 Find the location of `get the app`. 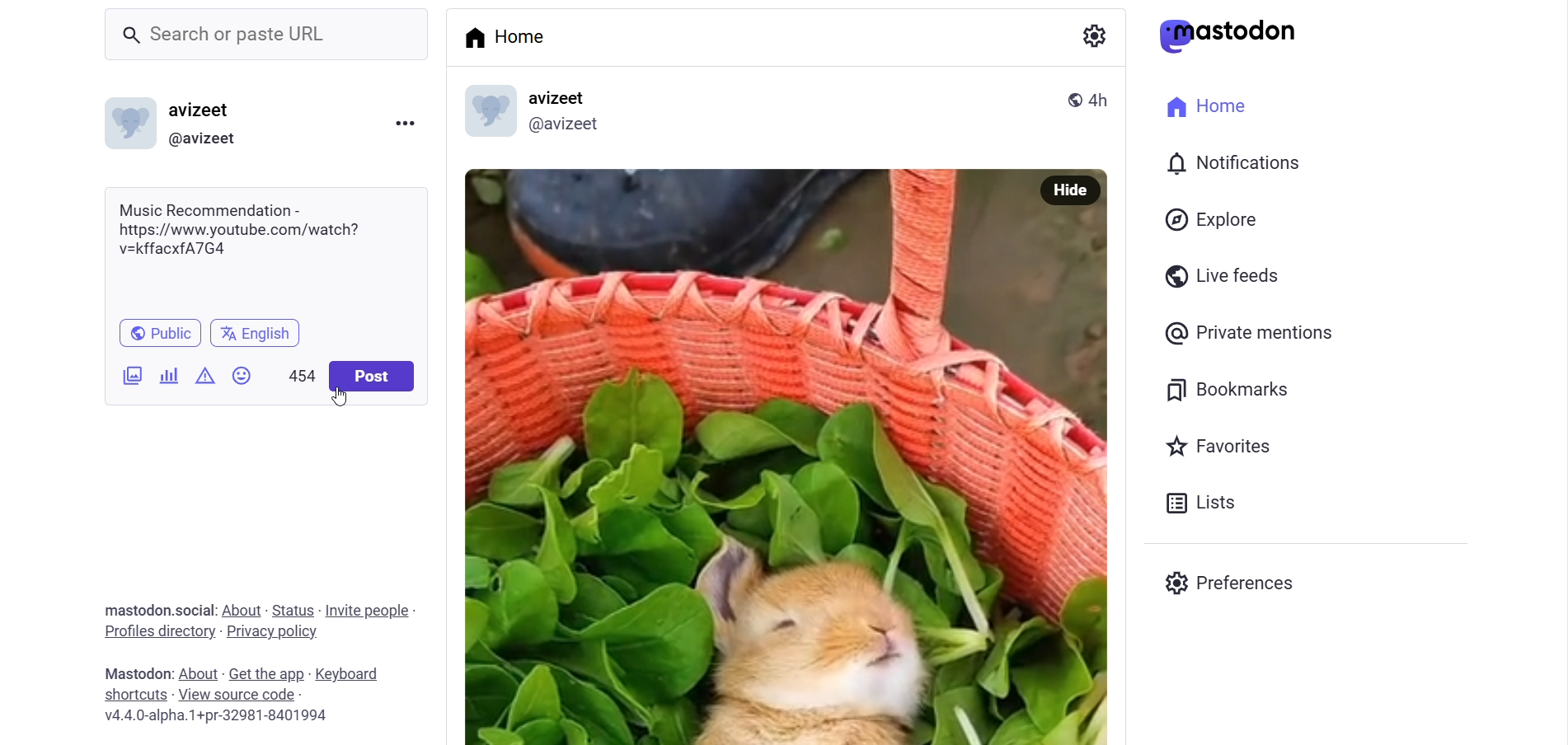

get the app is located at coordinates (268, 672).